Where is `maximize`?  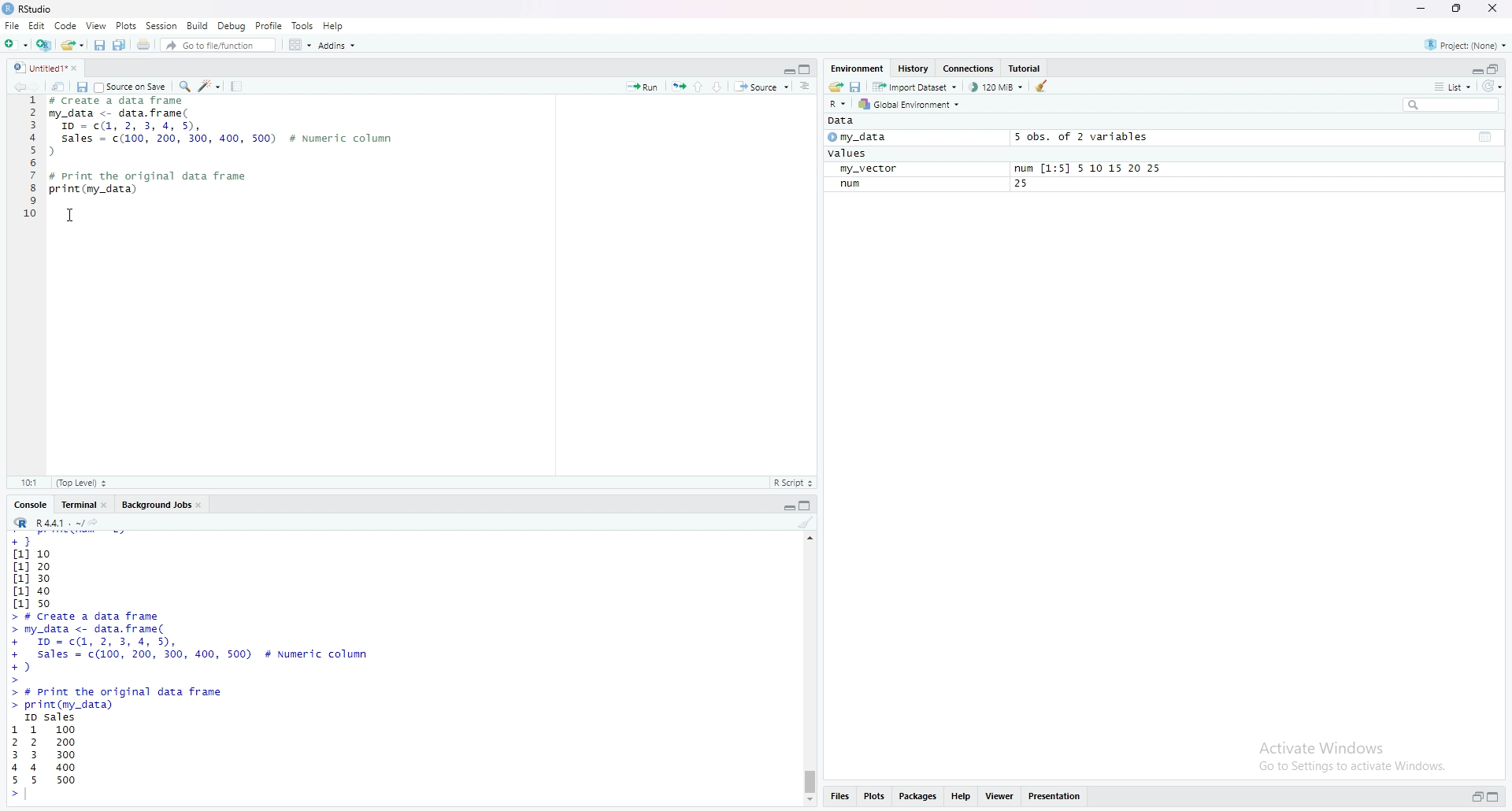
maximize is located at coordinates (1464, 10).